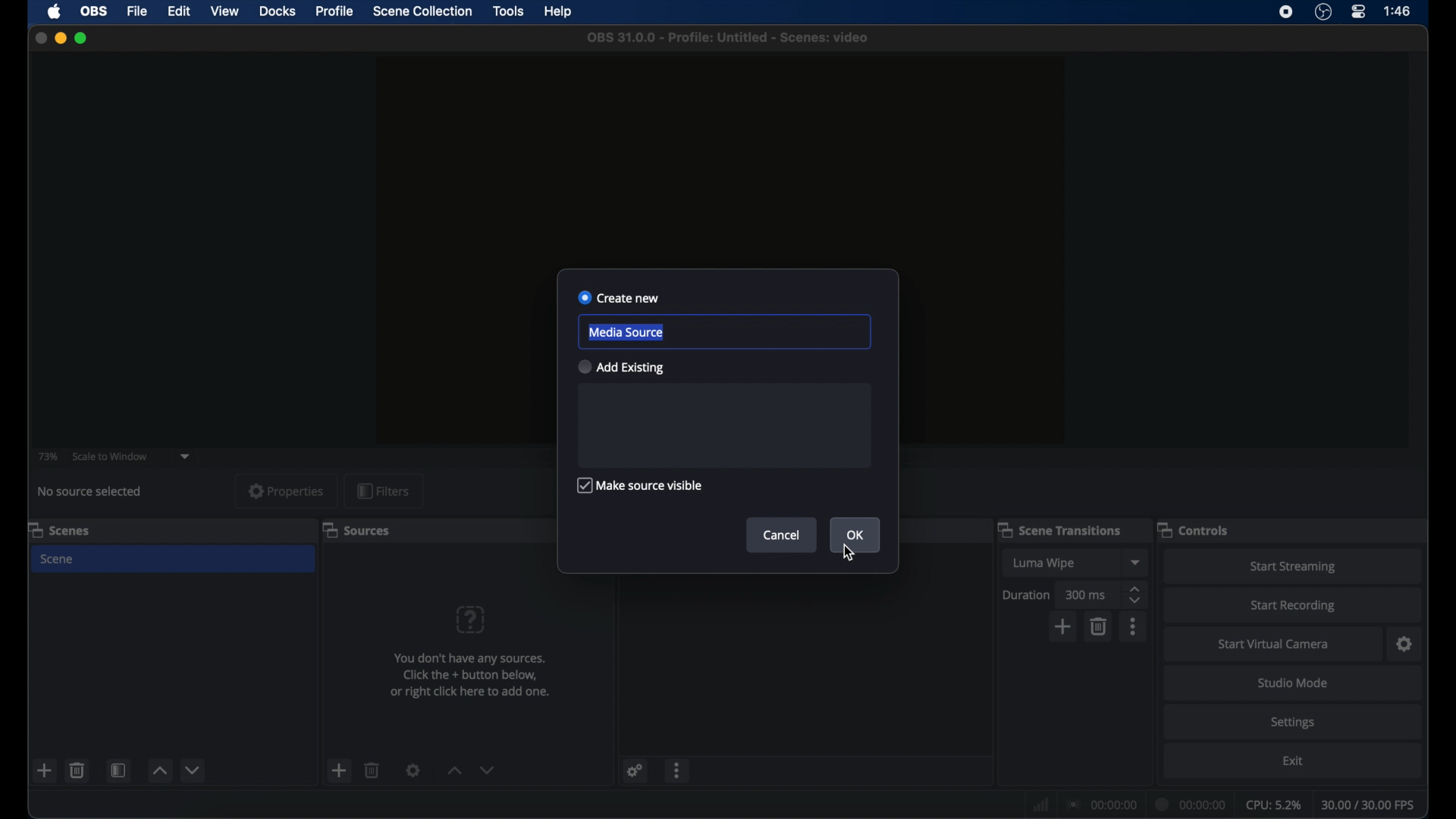  What do you see at coordinates (78, 770) in the screenshot?
I see `delete` at bounding box center [78, 770].